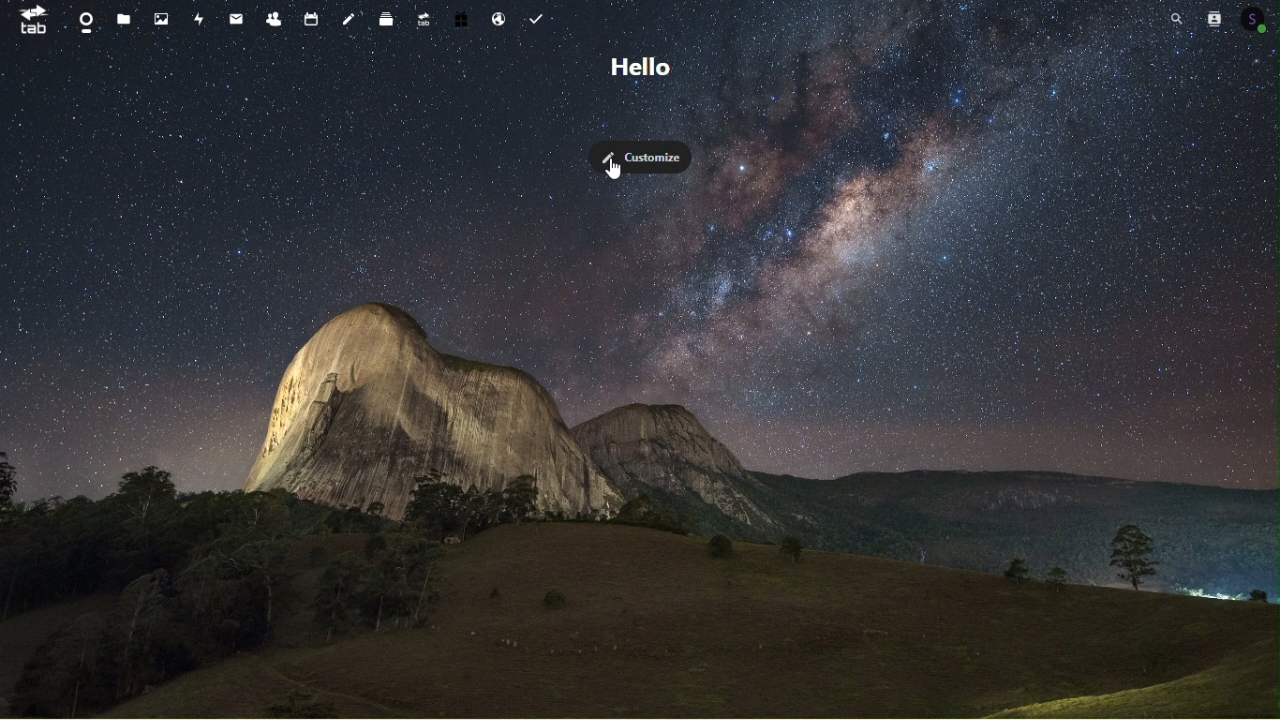 The image size is (1280, 720). Describe the element at coordinates (200, 18) in the screenshot. I see `Activity` at that location.